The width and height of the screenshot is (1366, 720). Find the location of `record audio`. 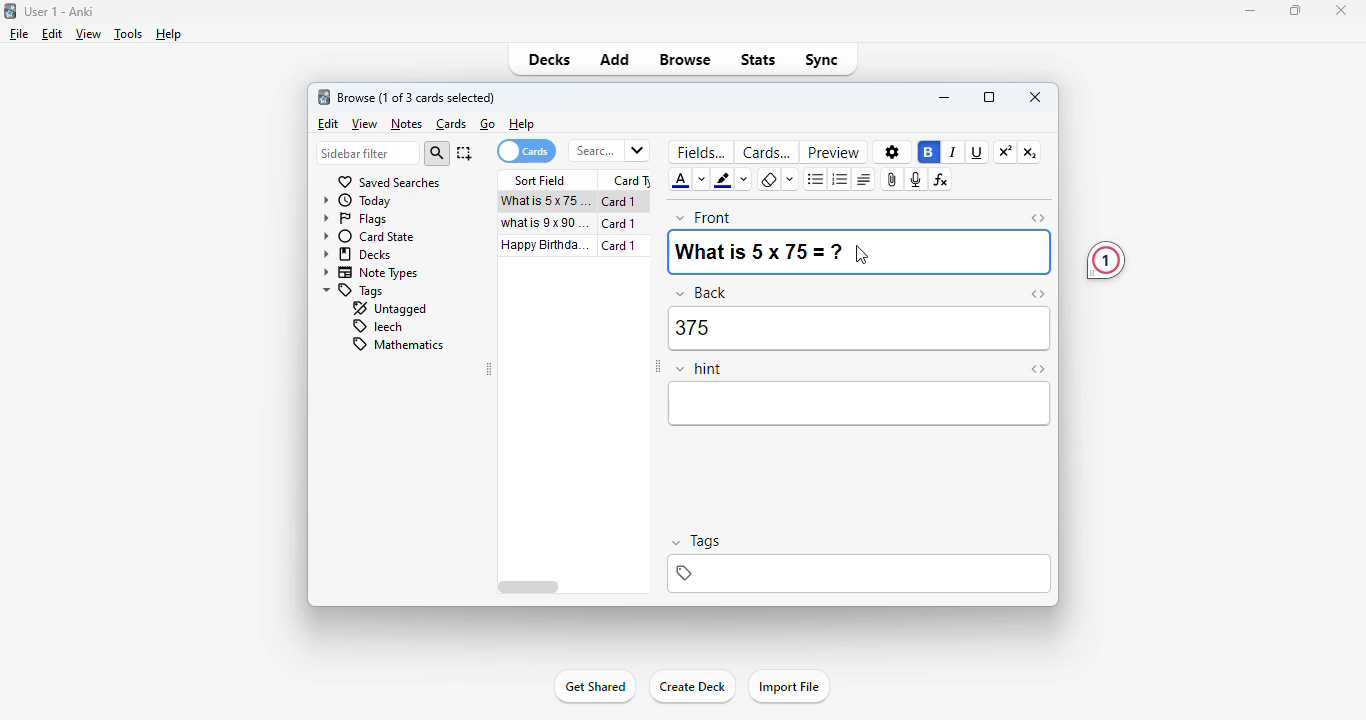

record audio is located at coordinates (917, 179).